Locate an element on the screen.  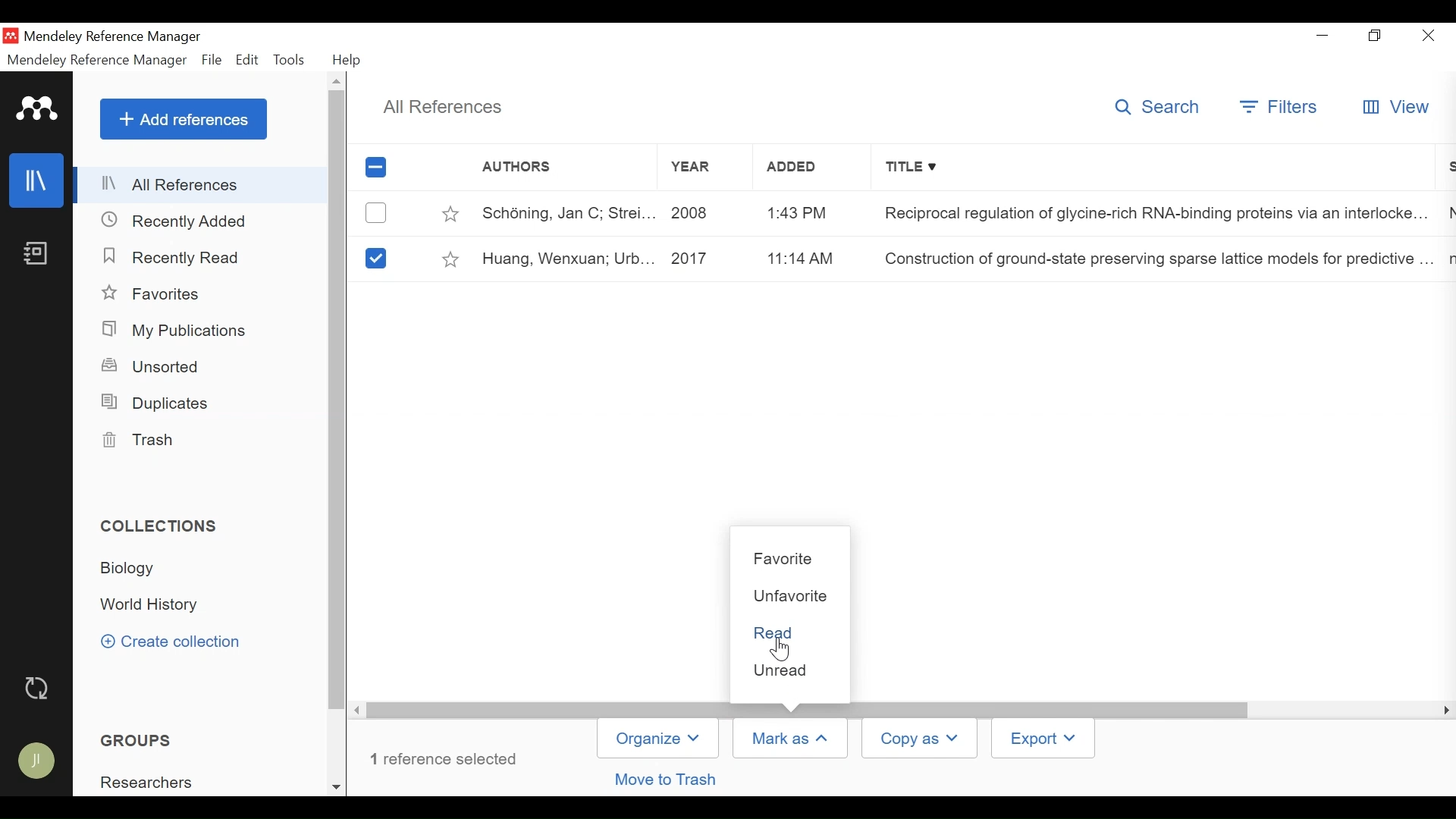
Close is located at coordinates (1428, 36).